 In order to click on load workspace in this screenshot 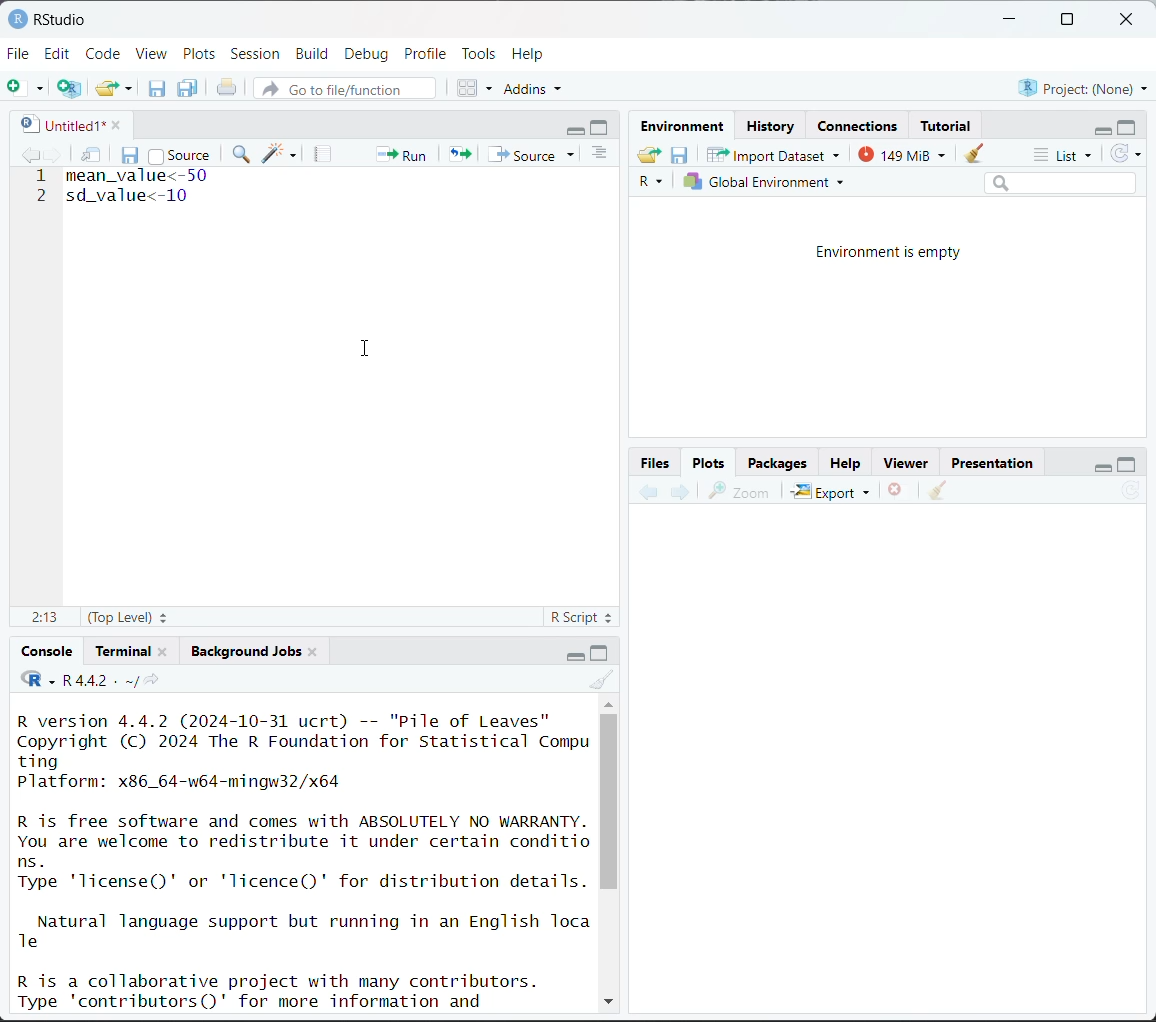, I will do `click(652, 157)`.